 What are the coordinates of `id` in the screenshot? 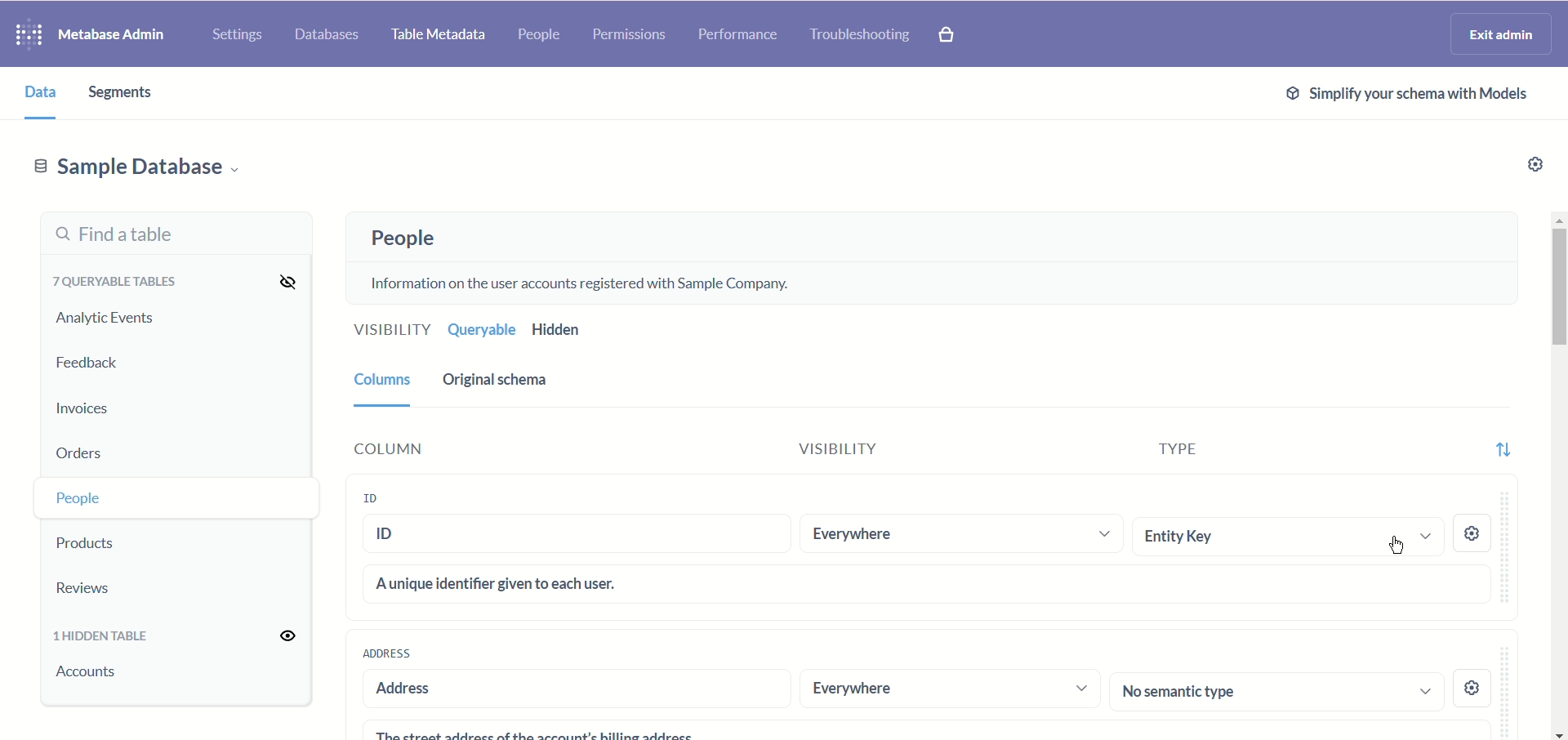 It's located at (577, 537).